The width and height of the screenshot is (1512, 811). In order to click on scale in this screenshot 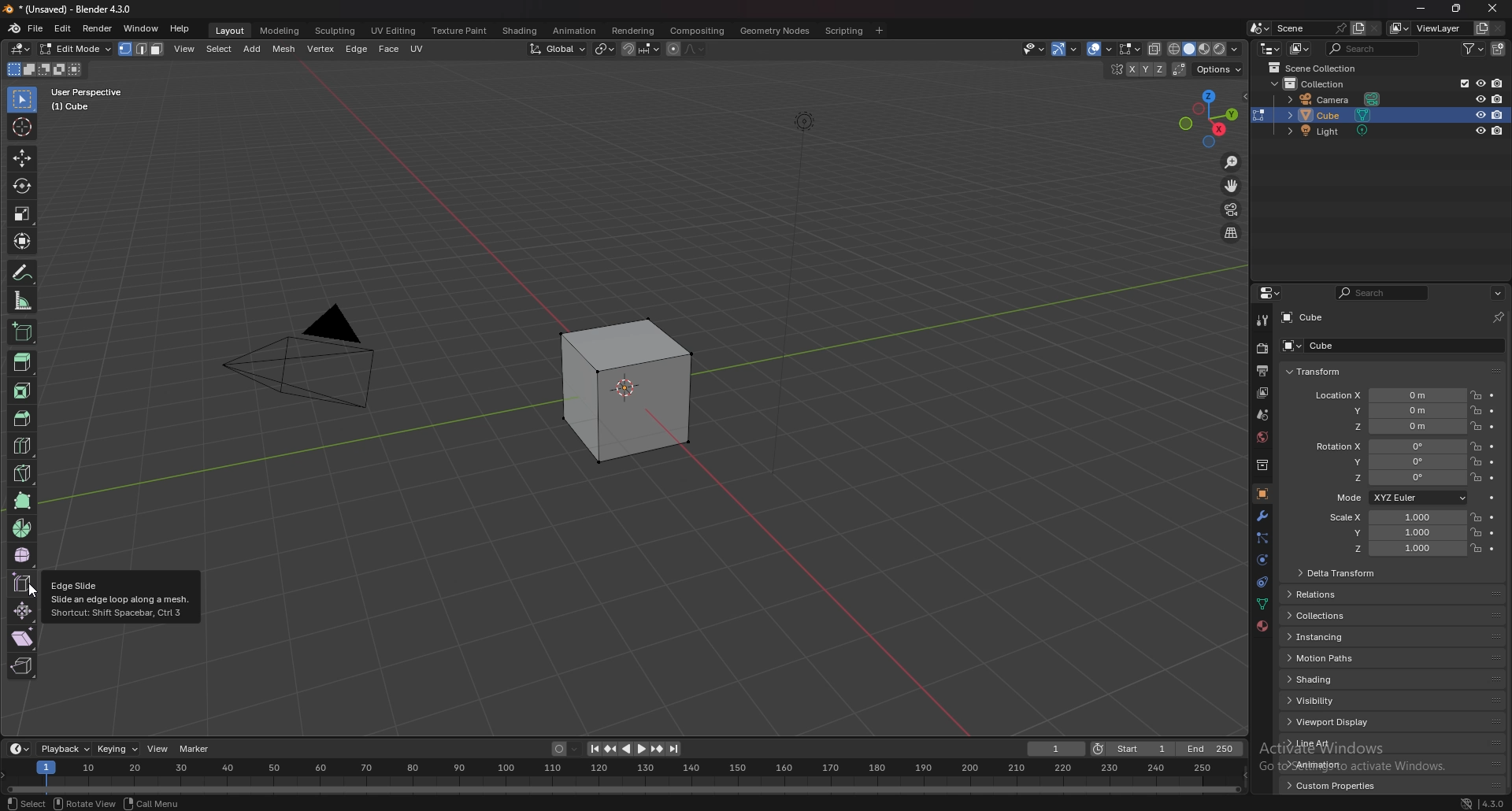, I will do `click(22, 214)`.